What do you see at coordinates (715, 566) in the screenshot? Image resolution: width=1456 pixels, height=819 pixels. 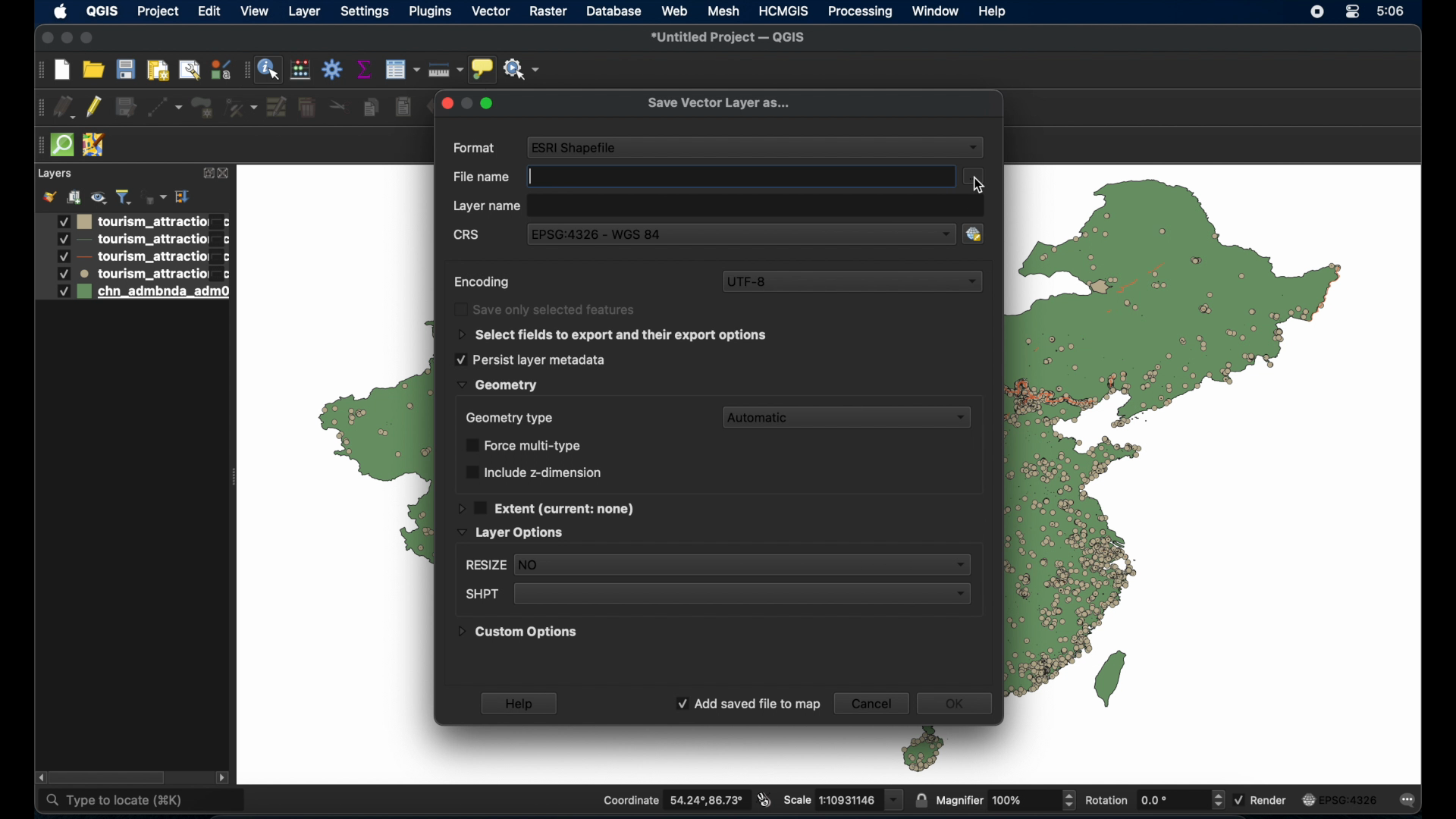 I see `resize dropdown` at bounding box center [715, 566].